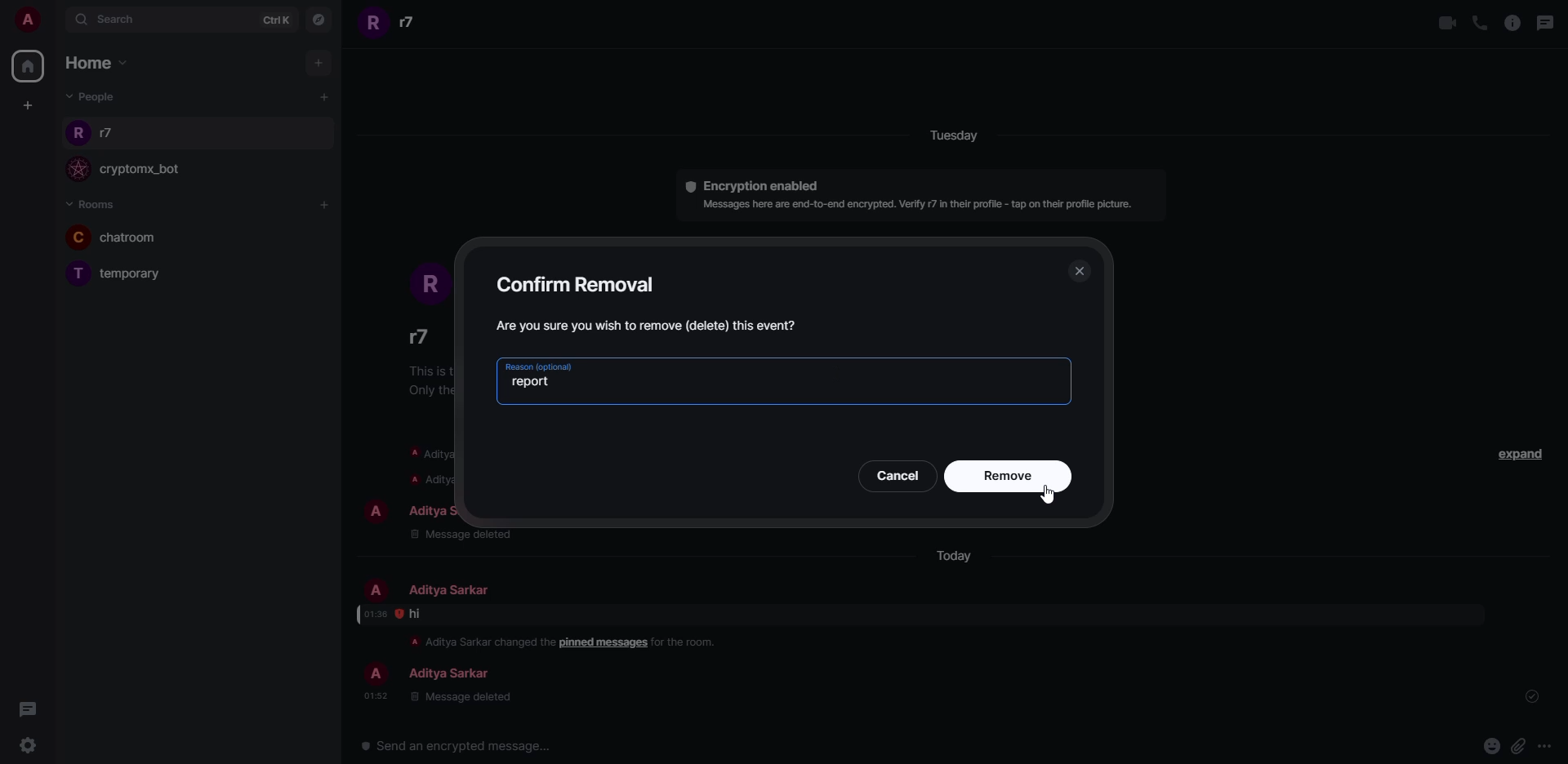 The height and width of the screenshot is (764, 1568). What do you see at coordinates (316, 23) in the screenshot?
I see `navigator` at bounding box center [316, 23].